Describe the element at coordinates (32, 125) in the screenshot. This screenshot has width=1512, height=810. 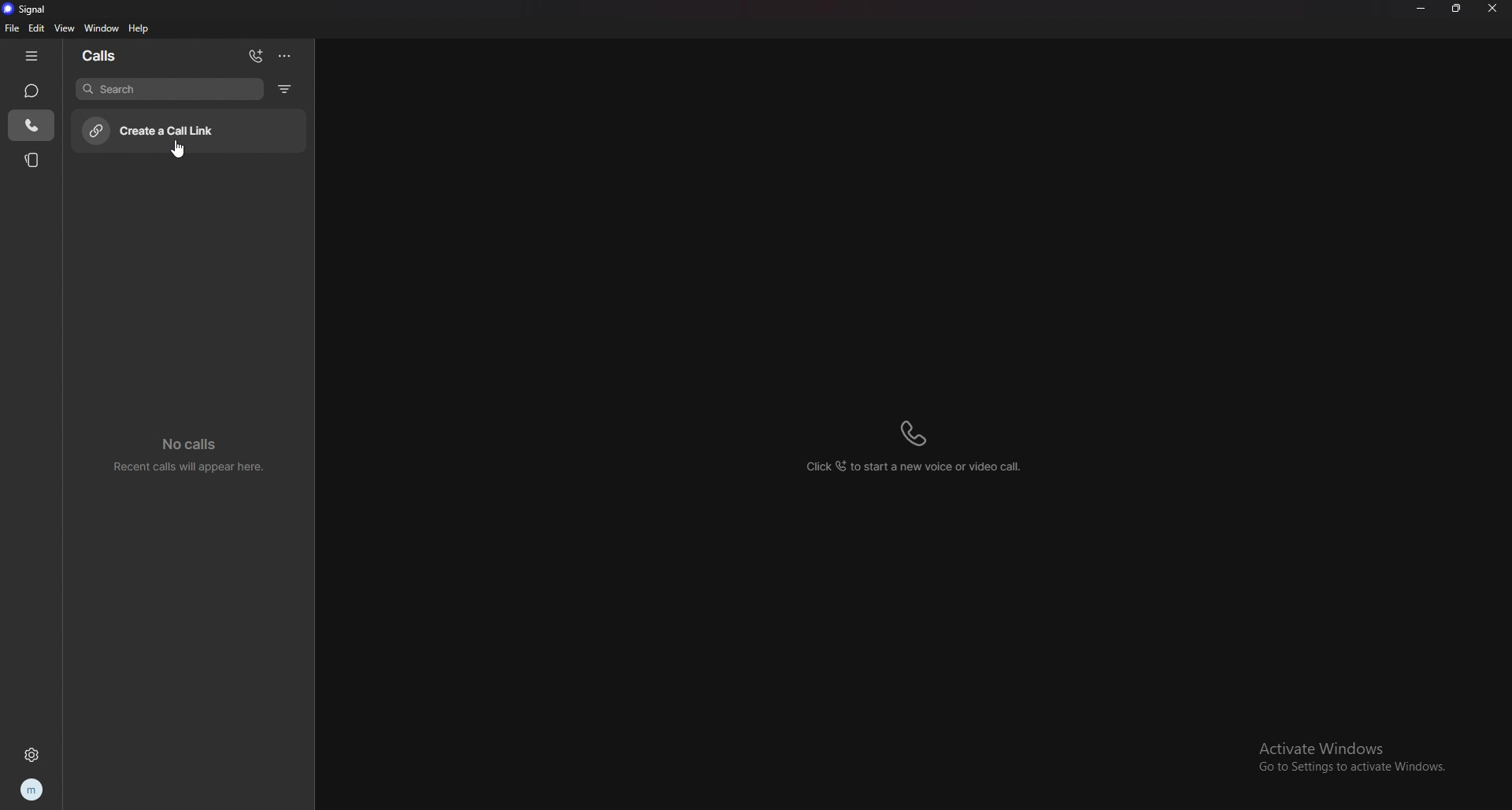
I see `calls` at that location.